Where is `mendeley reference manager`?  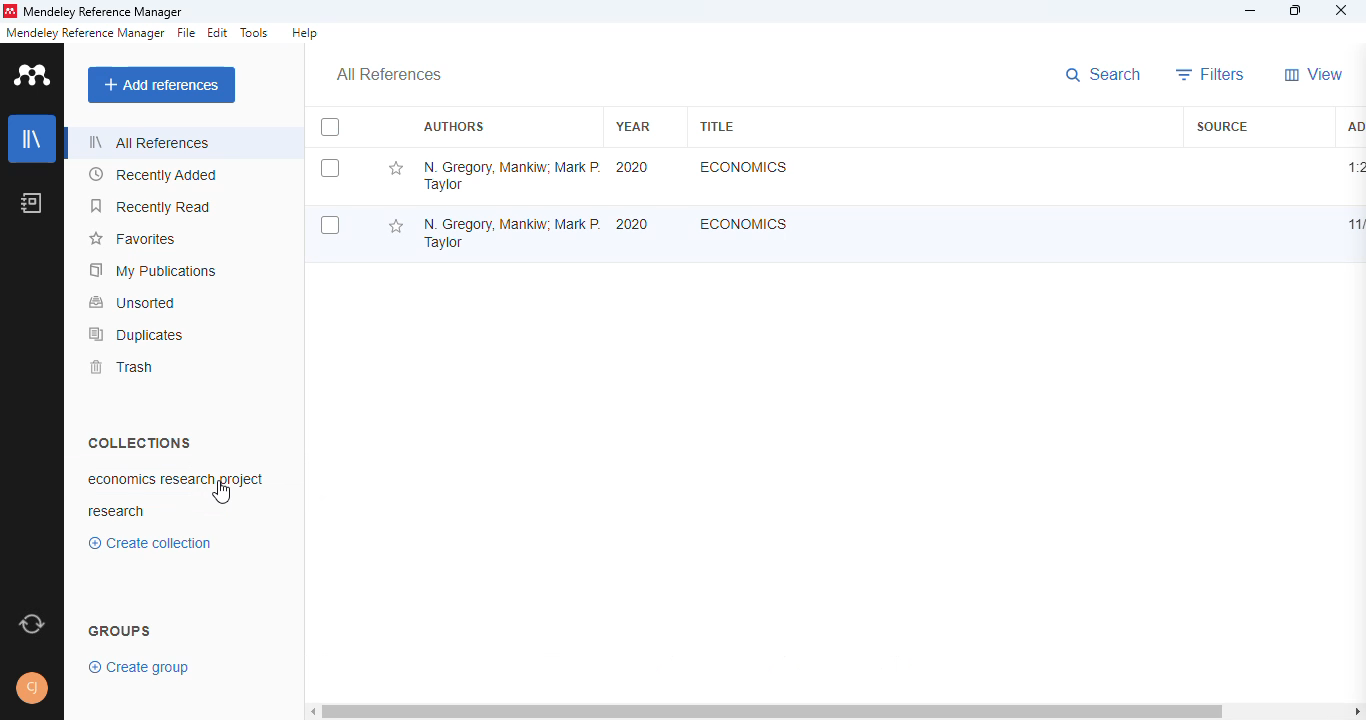 mendeley reference manager is located at coordinates (85, 33).